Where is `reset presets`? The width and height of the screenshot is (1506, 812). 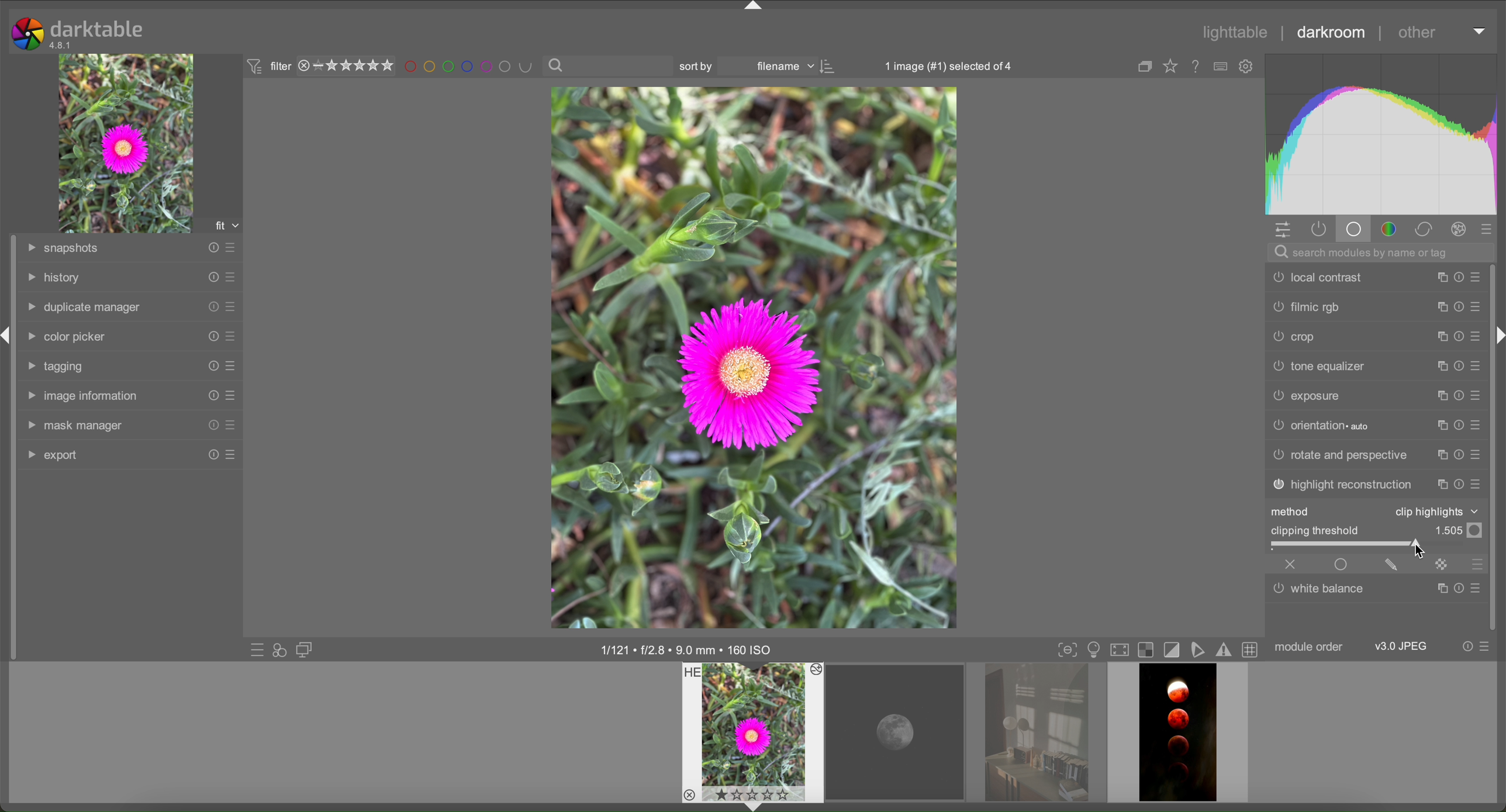
reset presets is located at coordinates (210, 305).